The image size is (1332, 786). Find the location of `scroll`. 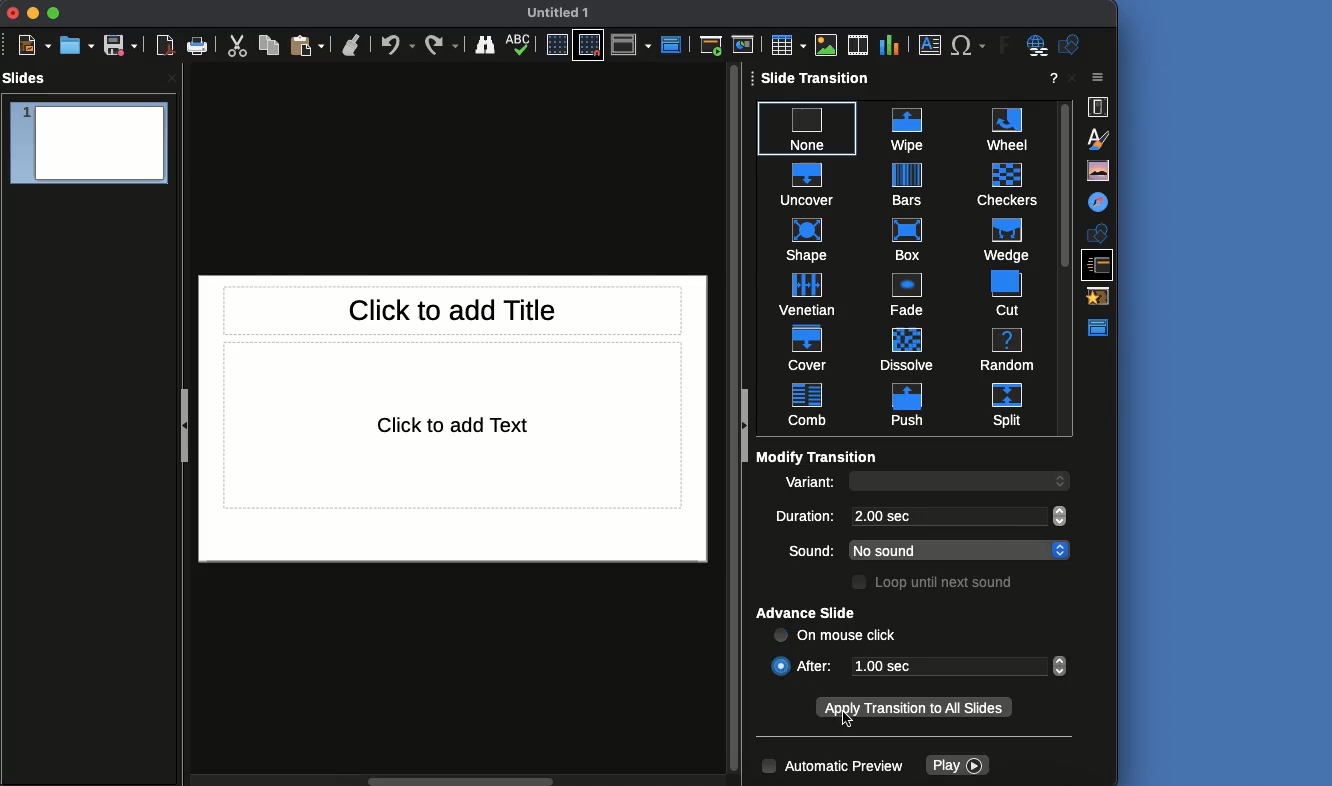

scroll is located at coordinates (1065, 480).